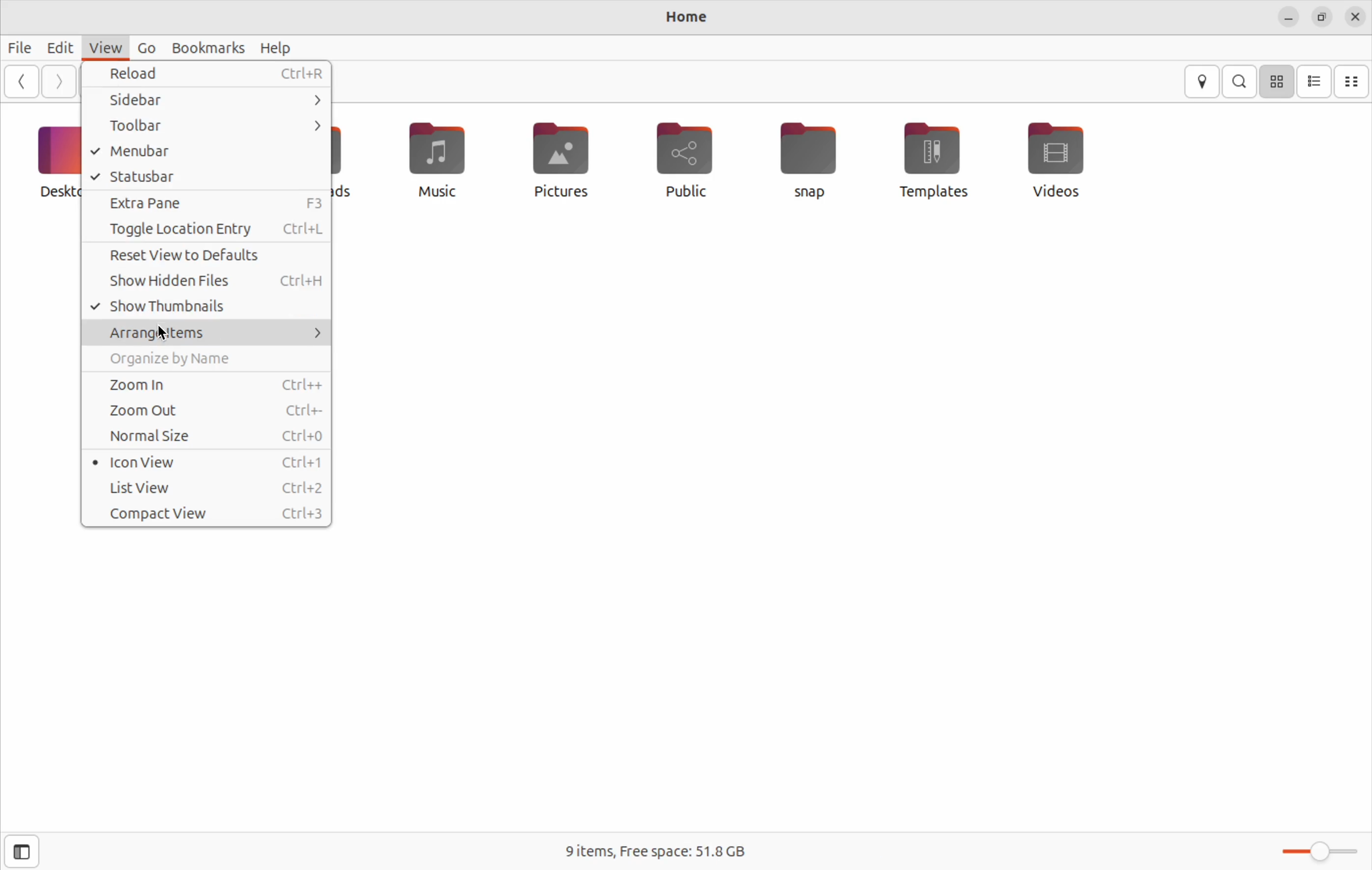  Describe the element at coordinates (207, 435) in the screenshot. I see `normal size` at that location.